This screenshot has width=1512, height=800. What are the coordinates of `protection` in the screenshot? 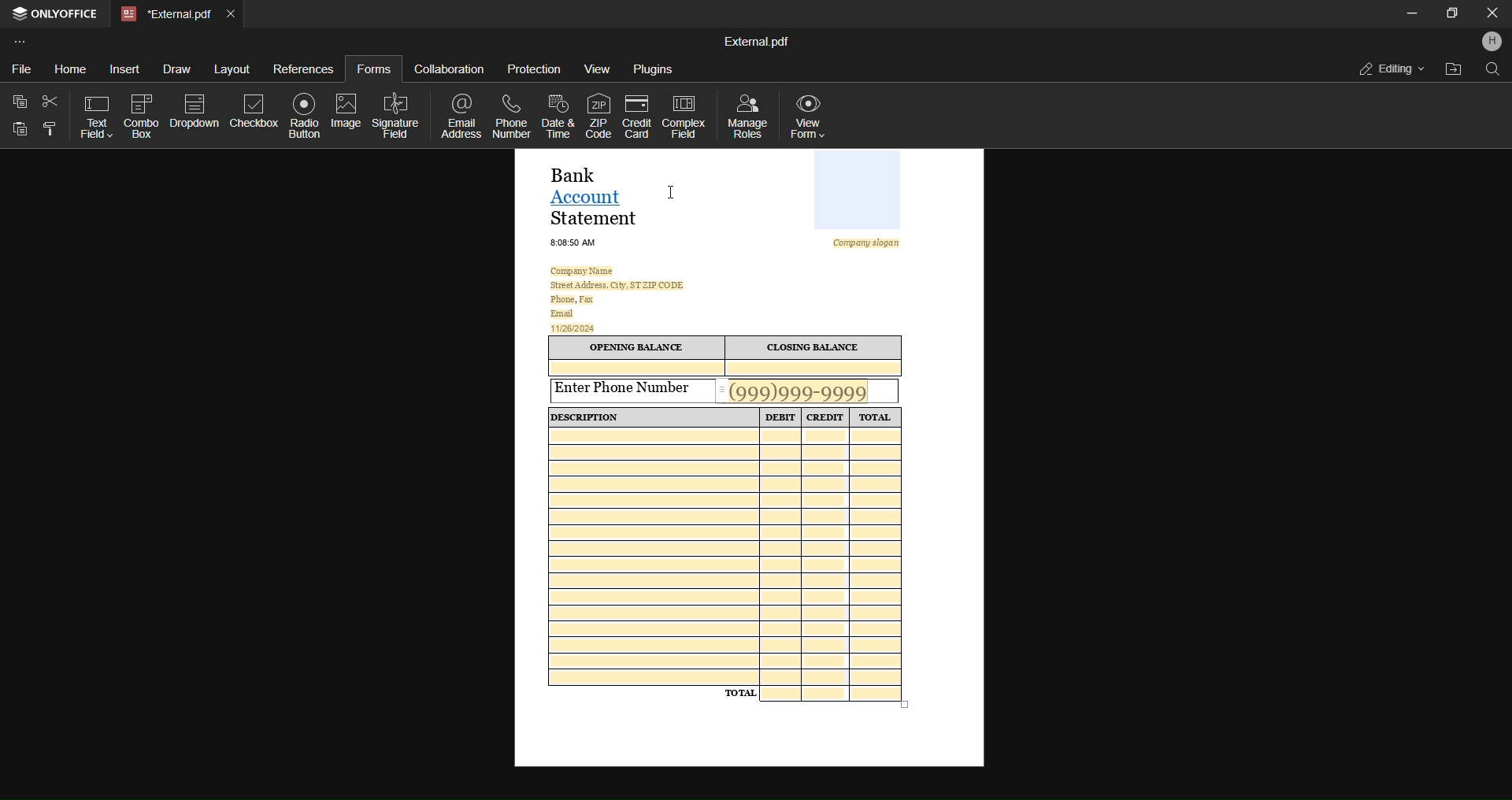 It's located at (532, 71).